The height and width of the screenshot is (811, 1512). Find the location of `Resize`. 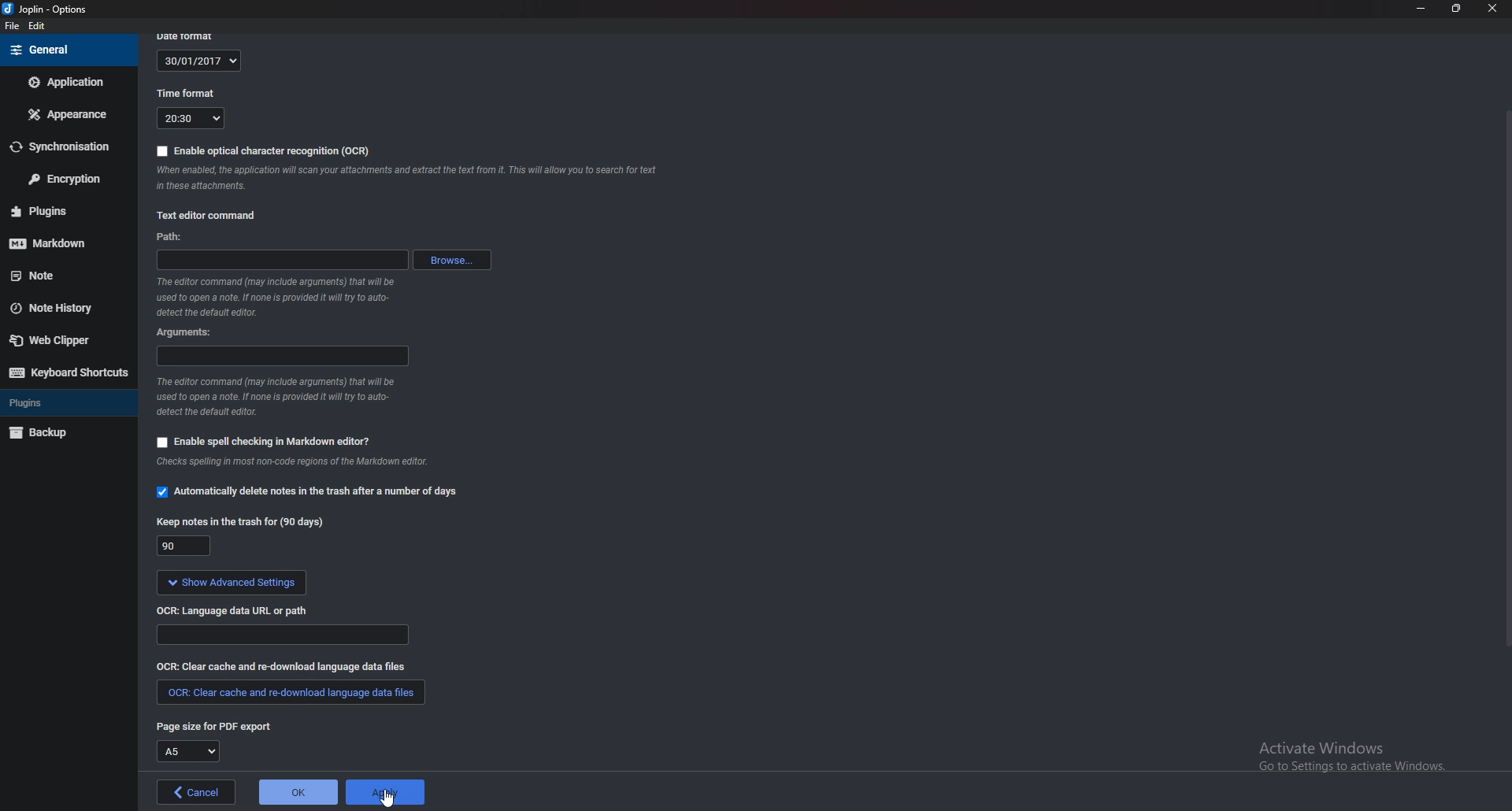

Resize is located at coordinates (1457, 9).